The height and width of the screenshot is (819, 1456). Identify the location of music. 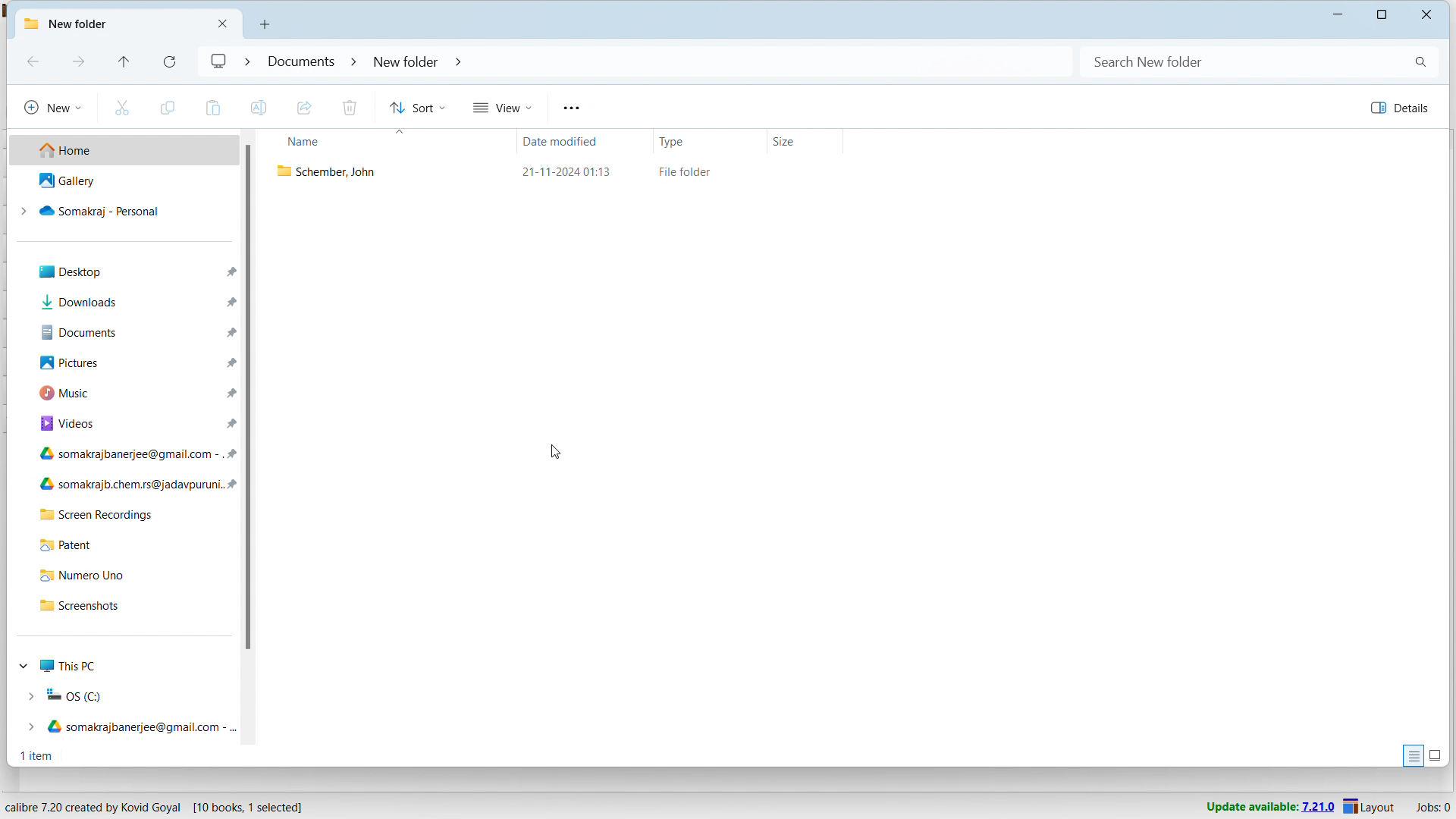
(135, 391).